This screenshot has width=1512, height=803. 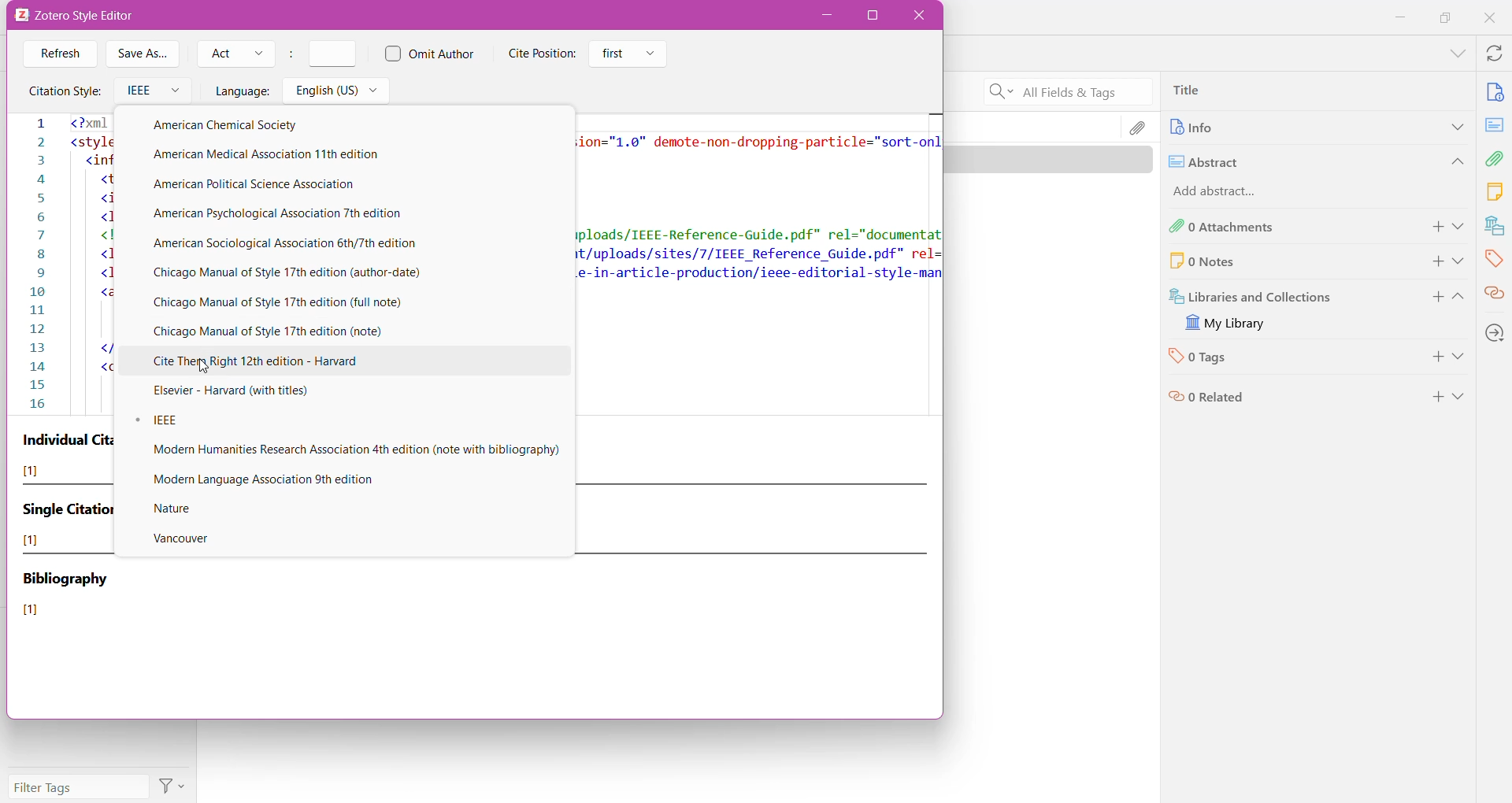 I want to click on Chicago Manual of Style 17th edition (full note), so click(x=291, y=303).